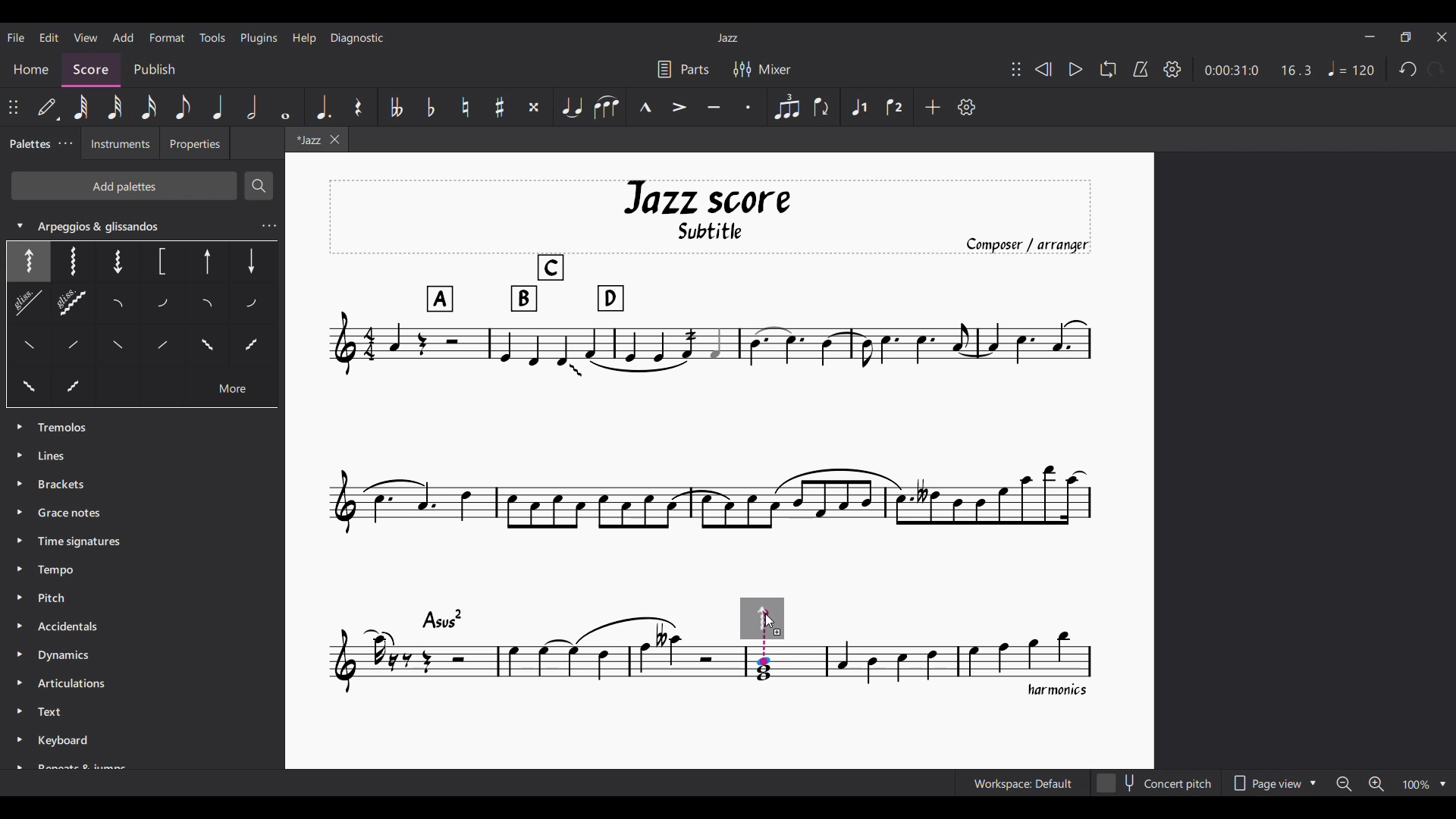 Image resolution: width=1456 pixels, height=819 pixels. Describe the element at coordinates (1109, 69) in the screenshot. I see `Loop playback` at that location.